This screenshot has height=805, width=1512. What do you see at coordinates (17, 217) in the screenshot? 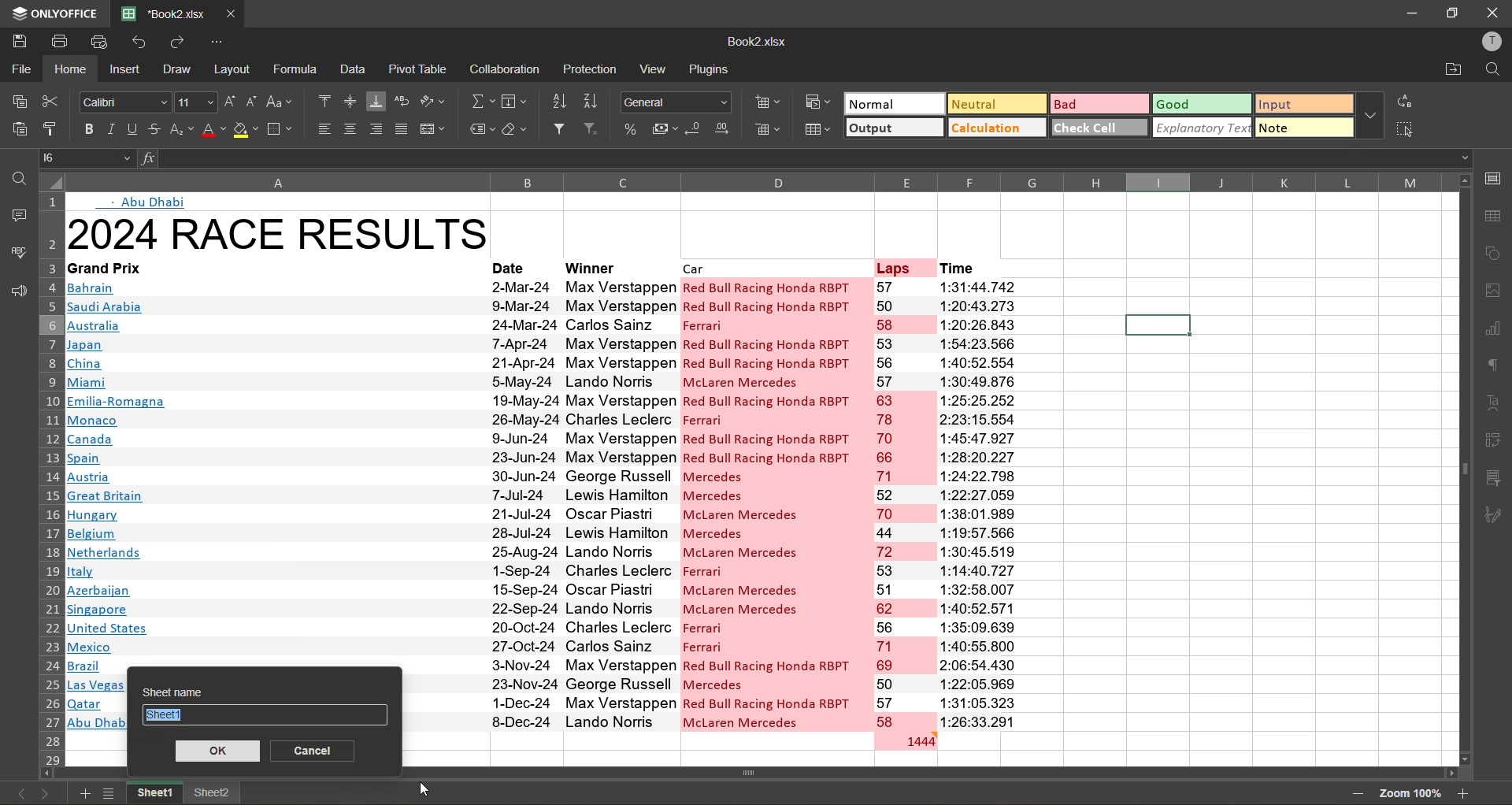
I see `comments` at bounding box center [17, 217].